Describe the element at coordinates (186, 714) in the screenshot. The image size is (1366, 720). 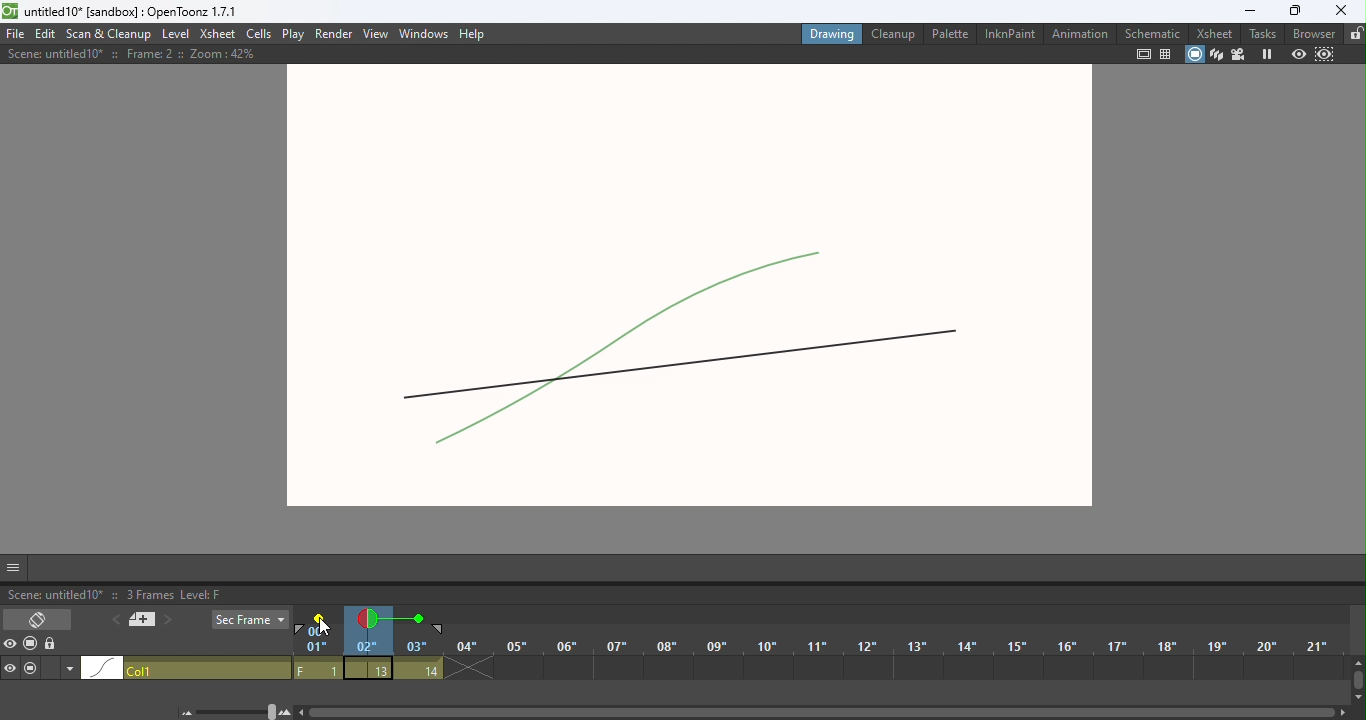
I see `zoom out` at that location.